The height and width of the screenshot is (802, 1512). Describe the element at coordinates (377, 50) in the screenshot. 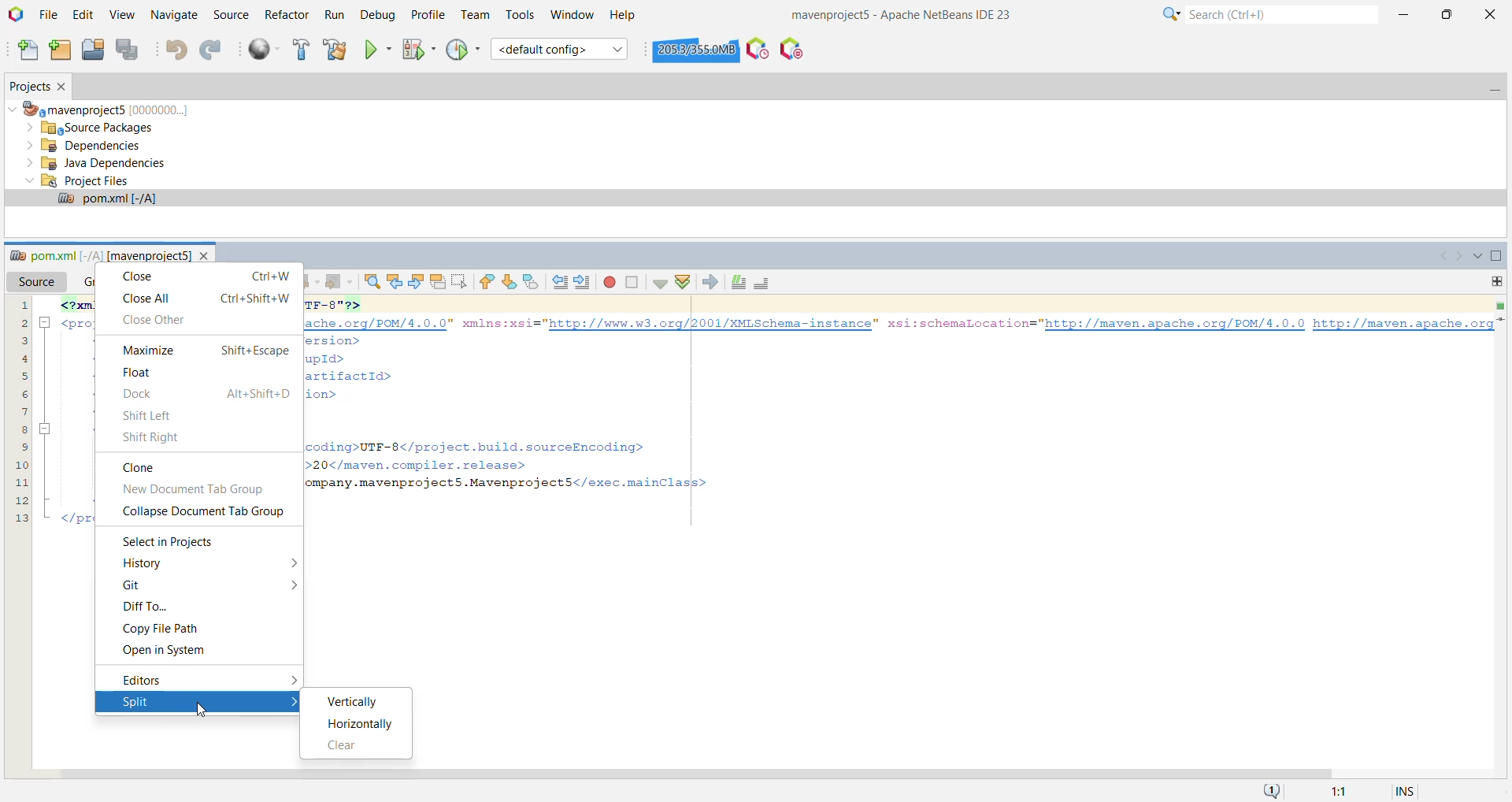

I see `Run Project` at that location.